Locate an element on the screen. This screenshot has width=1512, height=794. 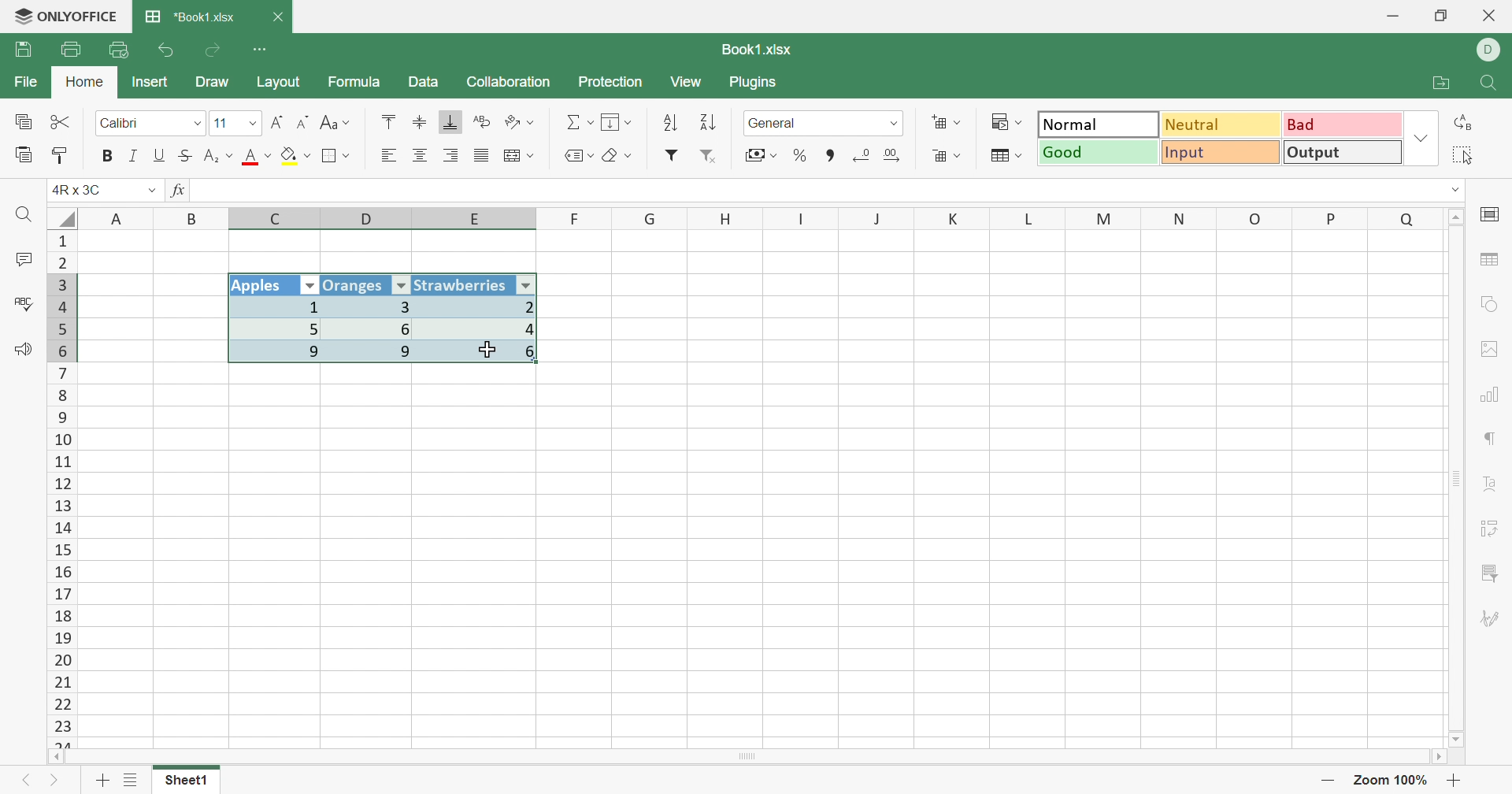
M is located at coordinates (1104, 218).